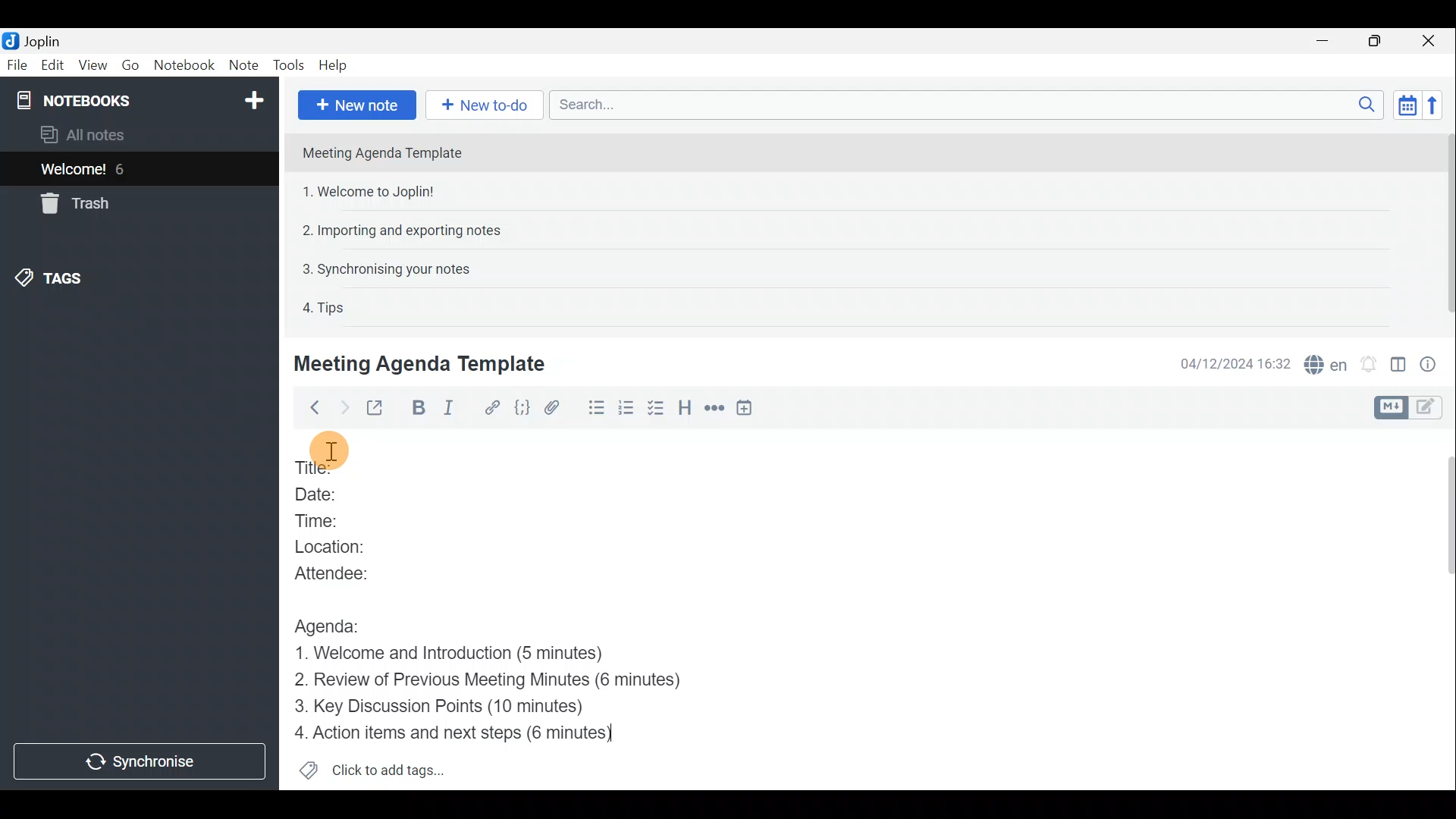  What do you see at coordinates (332, 496) in the screenshot?
I see `Date:` at bounding box center [332, 496].